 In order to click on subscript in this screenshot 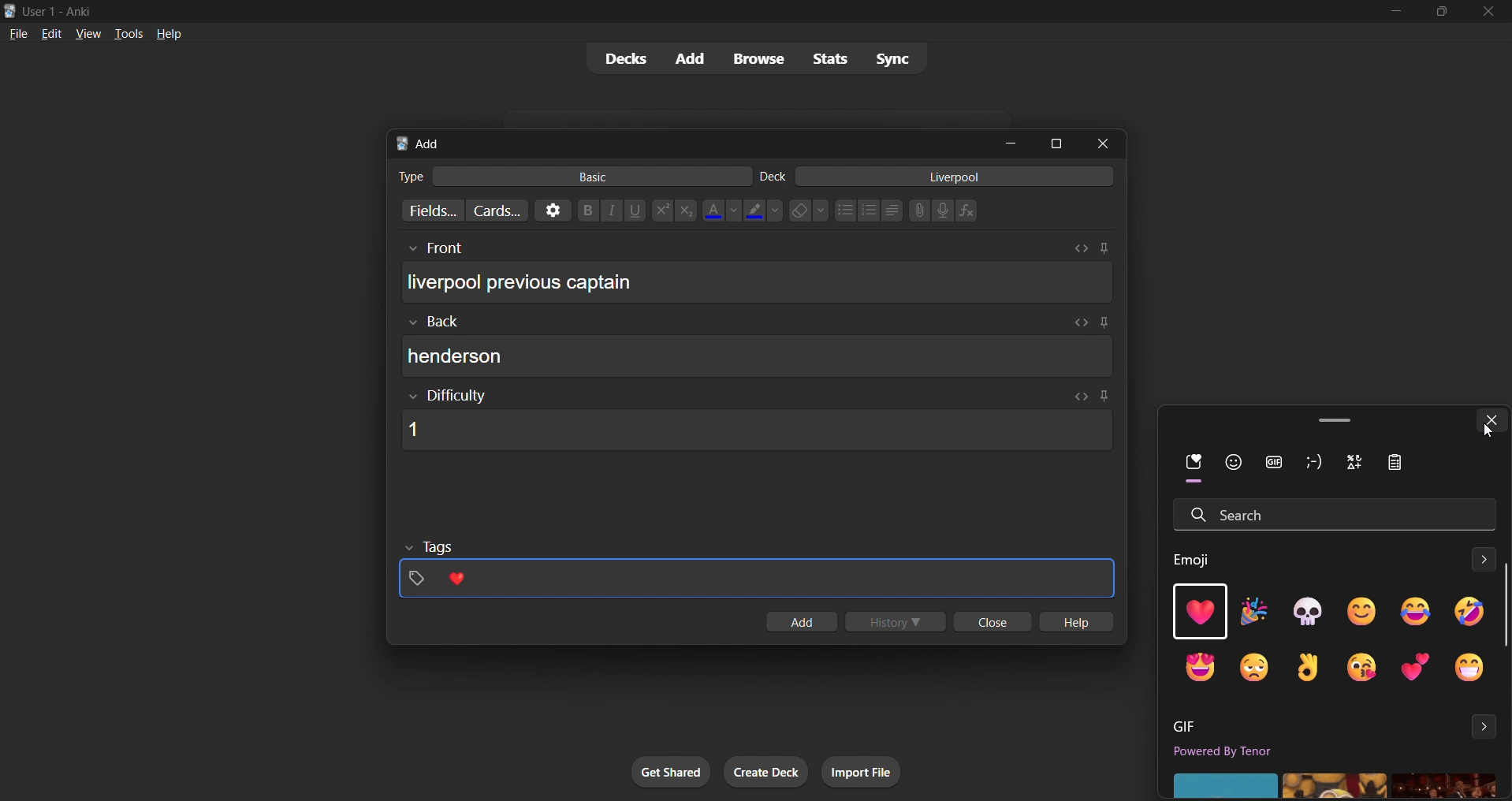, I will do `click(684, 210)`.